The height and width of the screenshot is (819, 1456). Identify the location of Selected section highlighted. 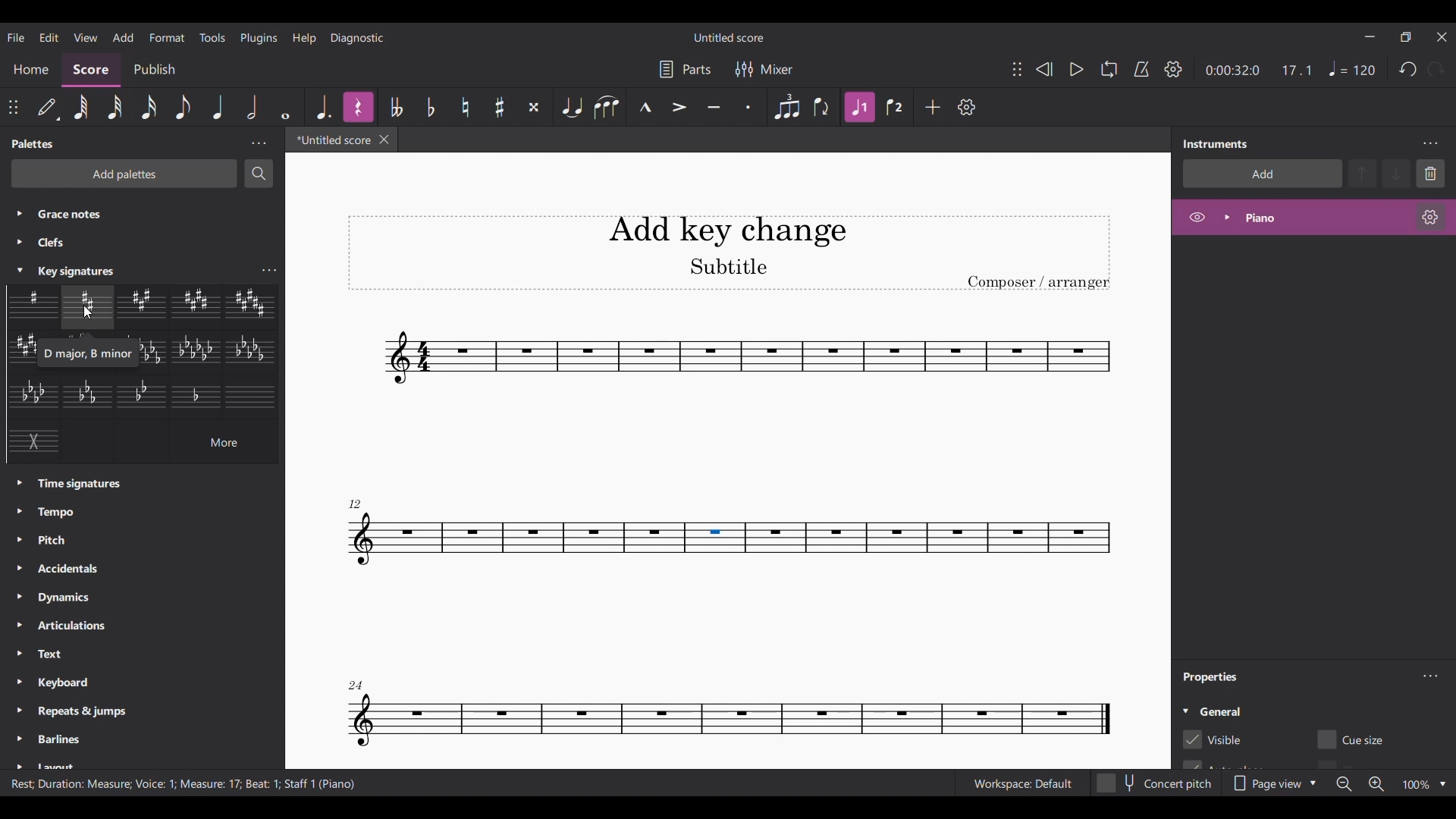
(715, 538).